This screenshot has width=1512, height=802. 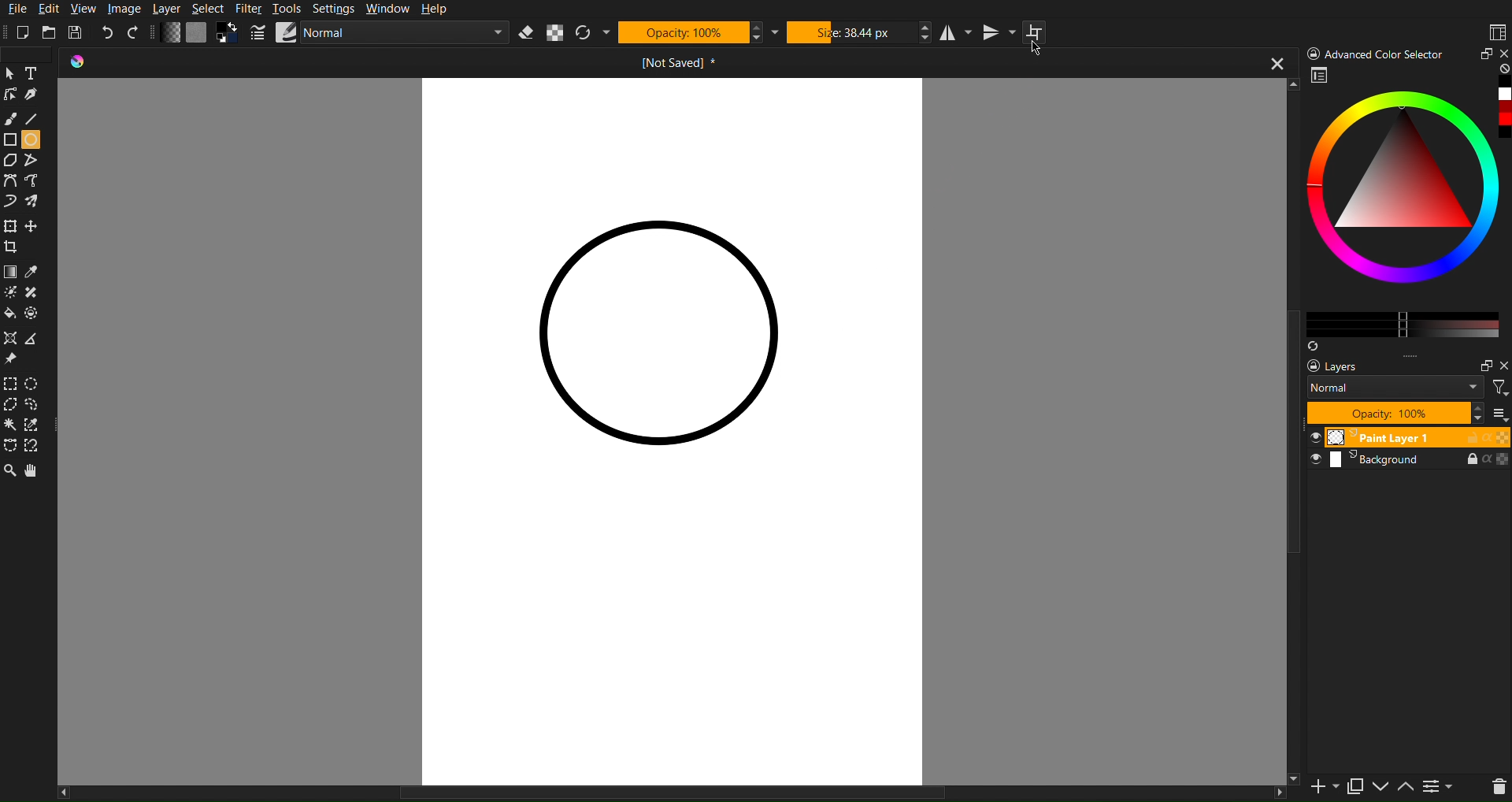 What do you see at coordinates (1314, 345) in the screenshot?
I see `Syns` at bounding box center [1314, 345].